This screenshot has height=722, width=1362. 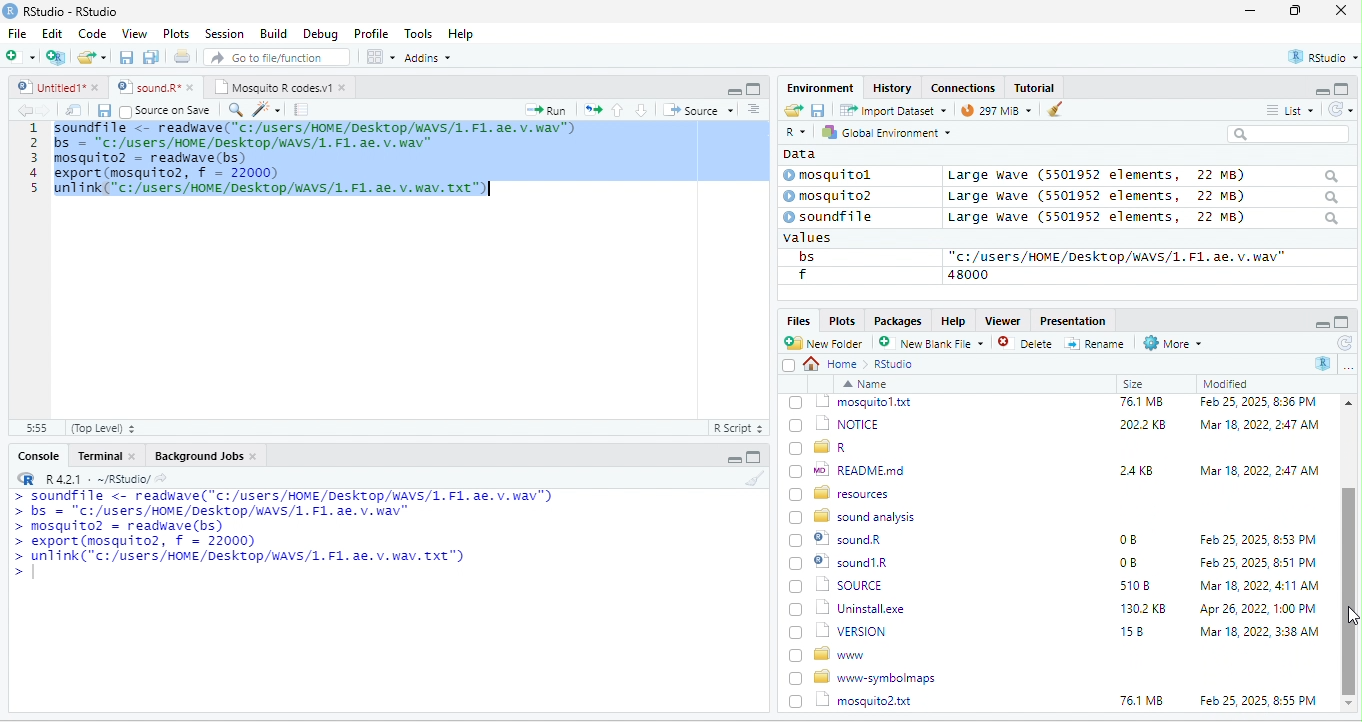 What do you see at coordinates (184, 59) in the screenshot?
I see `open` at bounding box center [184, 59].